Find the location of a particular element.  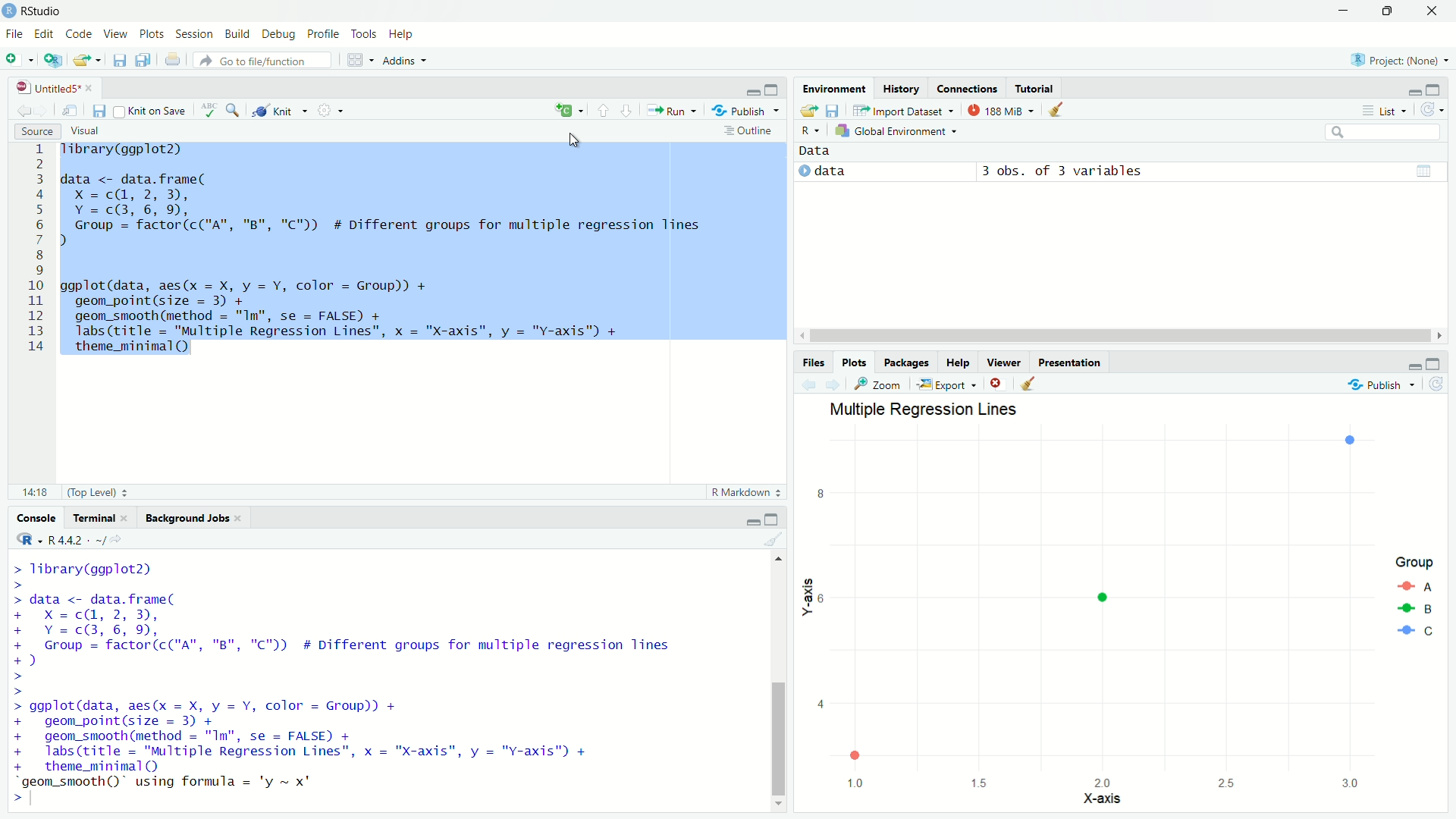

cursor is located at coordinates (577, 142).